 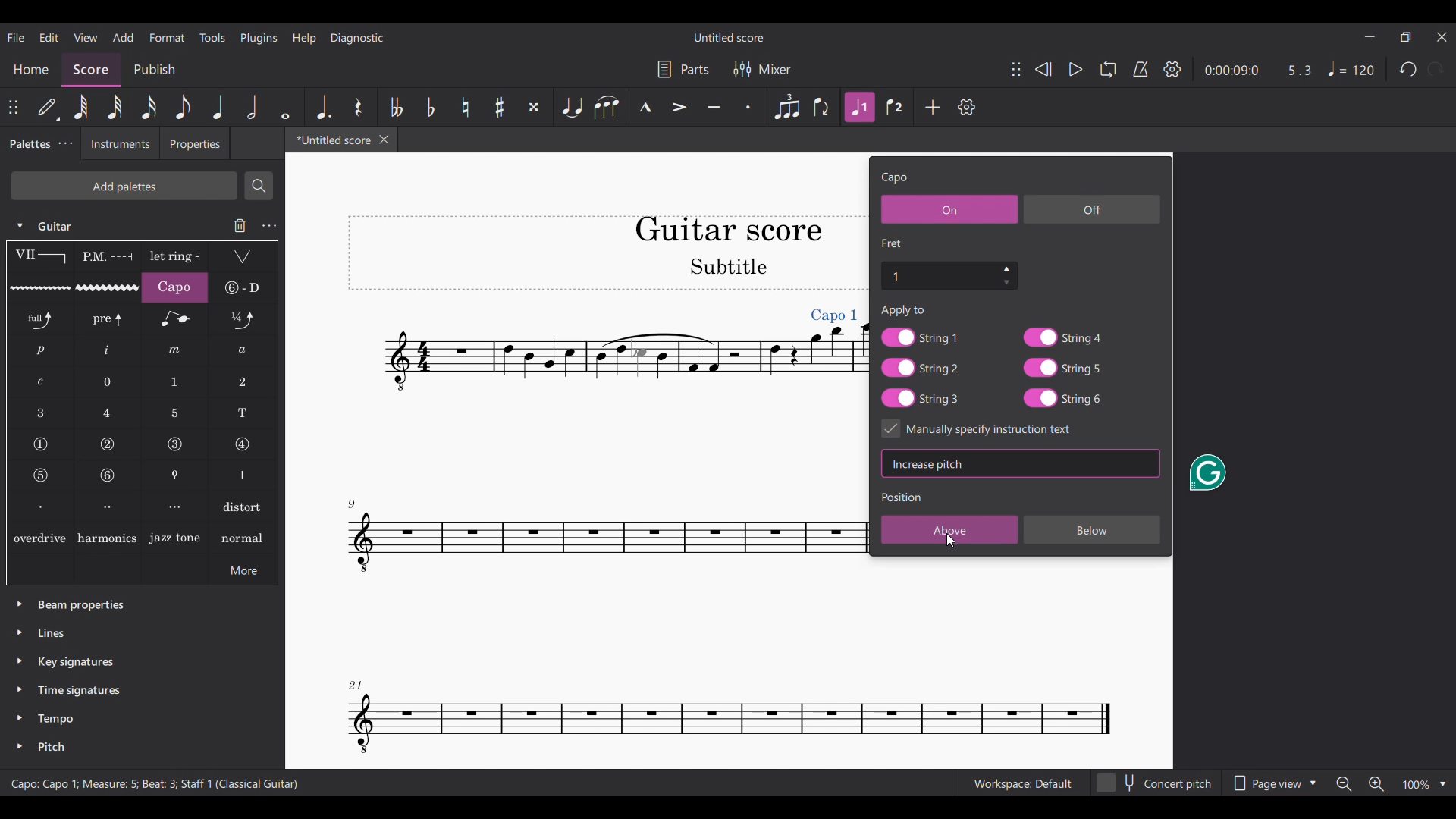 What do you see at coordinates (242, 445) in the screenshot?
I see `String number 4` at bounding box center [242, 445].